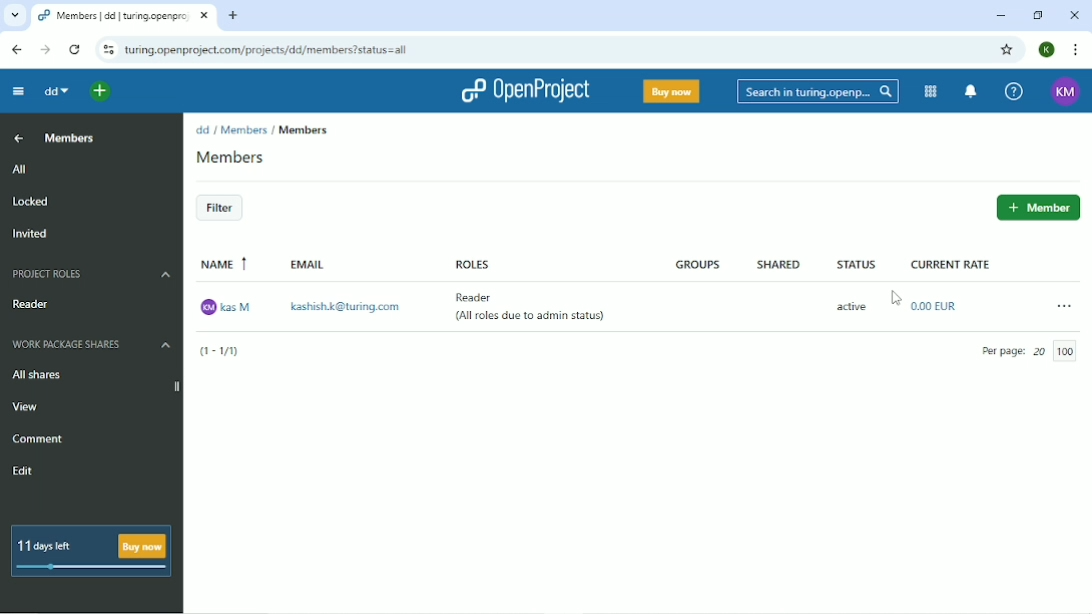  Describe the element at coordinates (229, 306) in the screenshot. I see `kas M` at that location.